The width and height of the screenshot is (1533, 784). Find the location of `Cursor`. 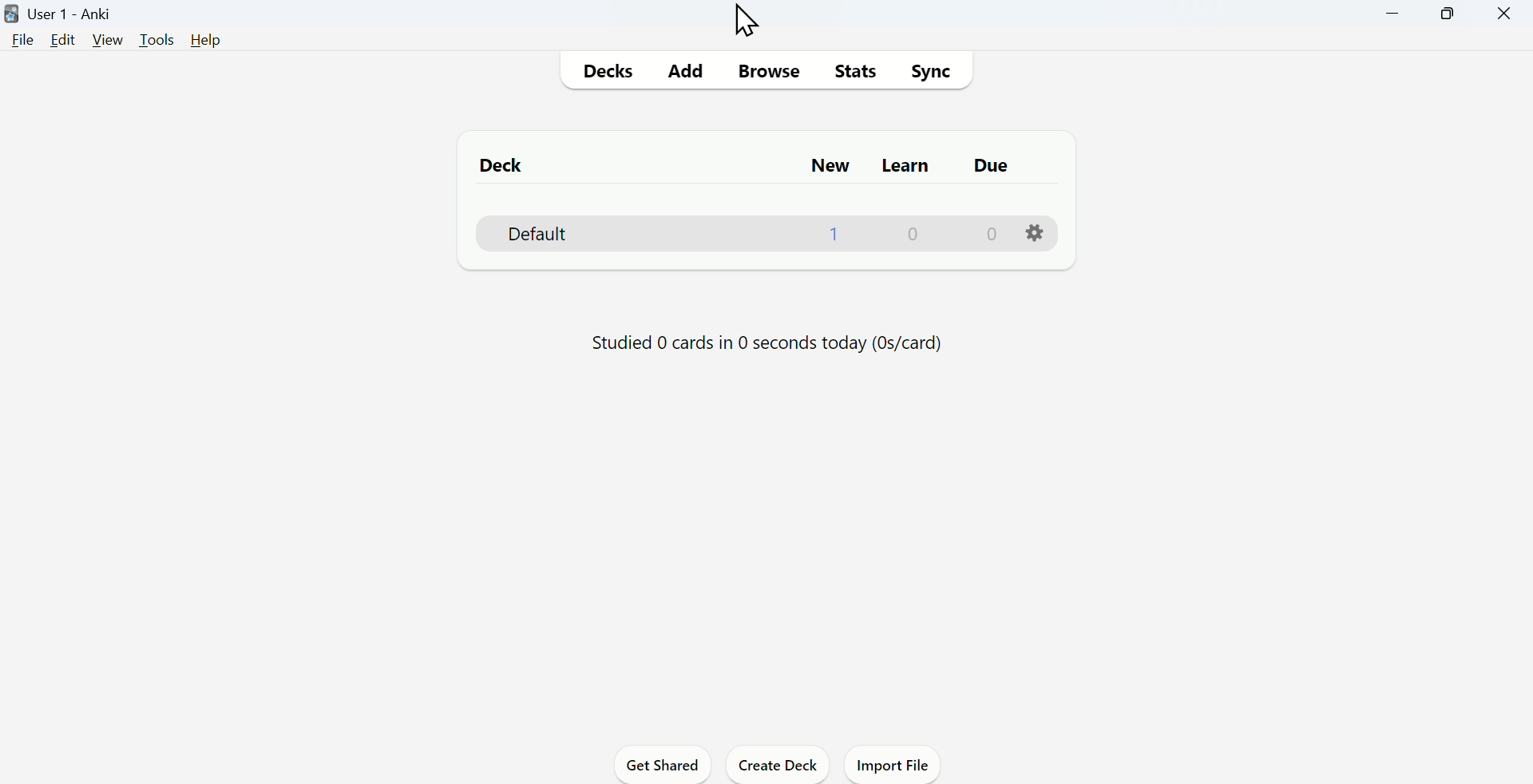

Cursor is located at coordinates (750, 22).